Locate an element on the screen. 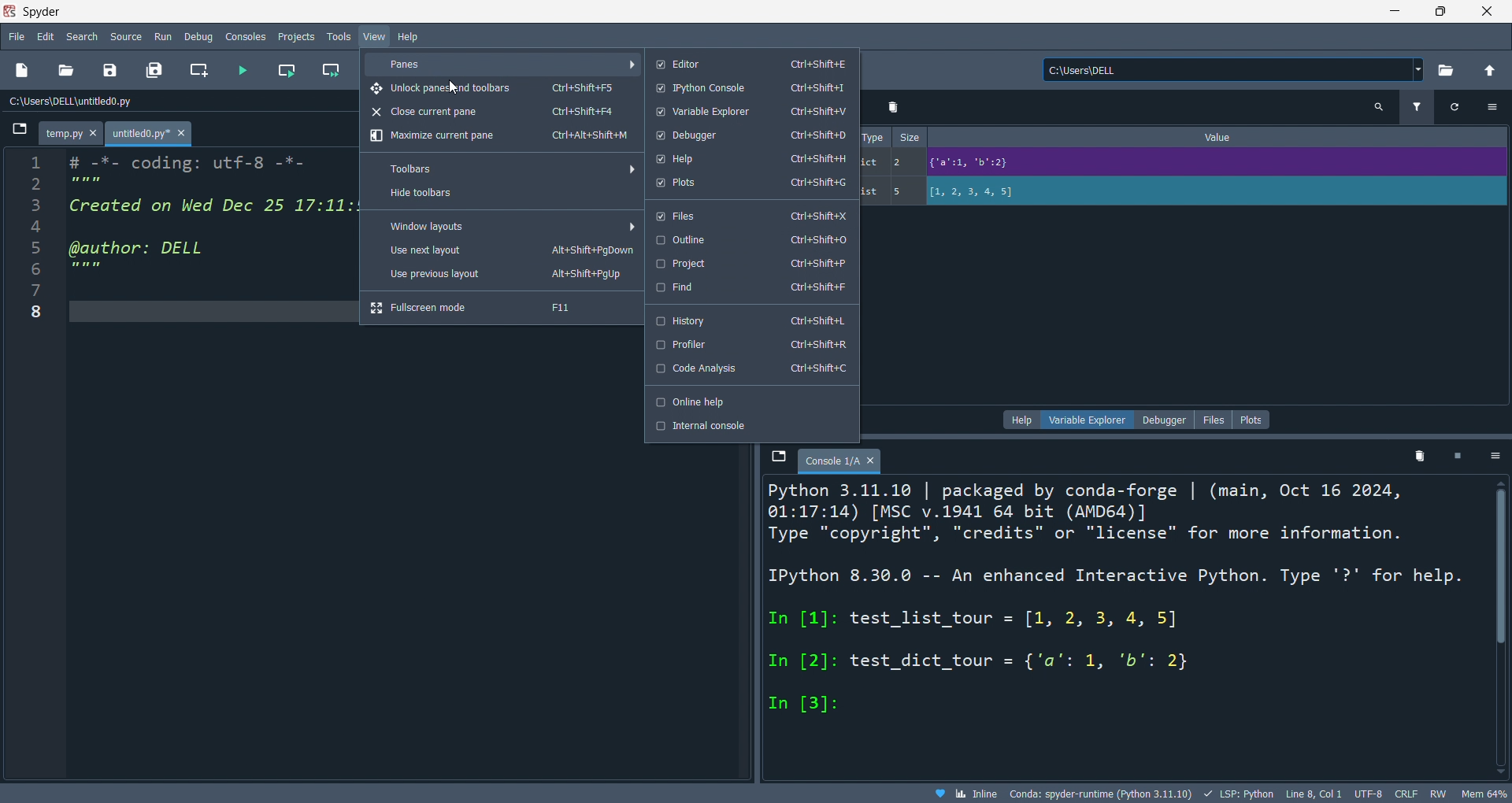  edit is located at coordinates (46, 36).